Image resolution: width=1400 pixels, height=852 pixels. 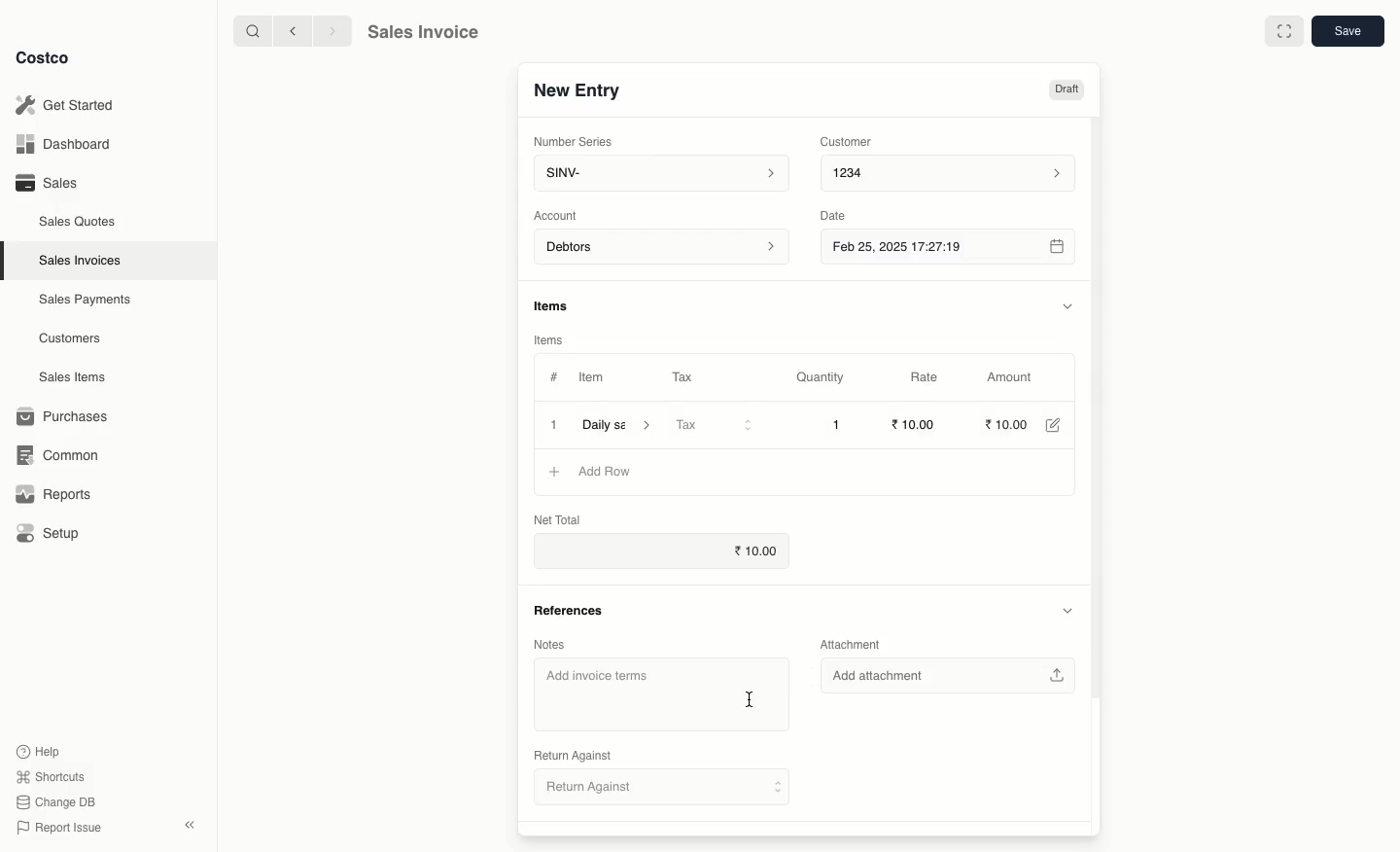 I want to click on Tax, so click(x=684, y=375).